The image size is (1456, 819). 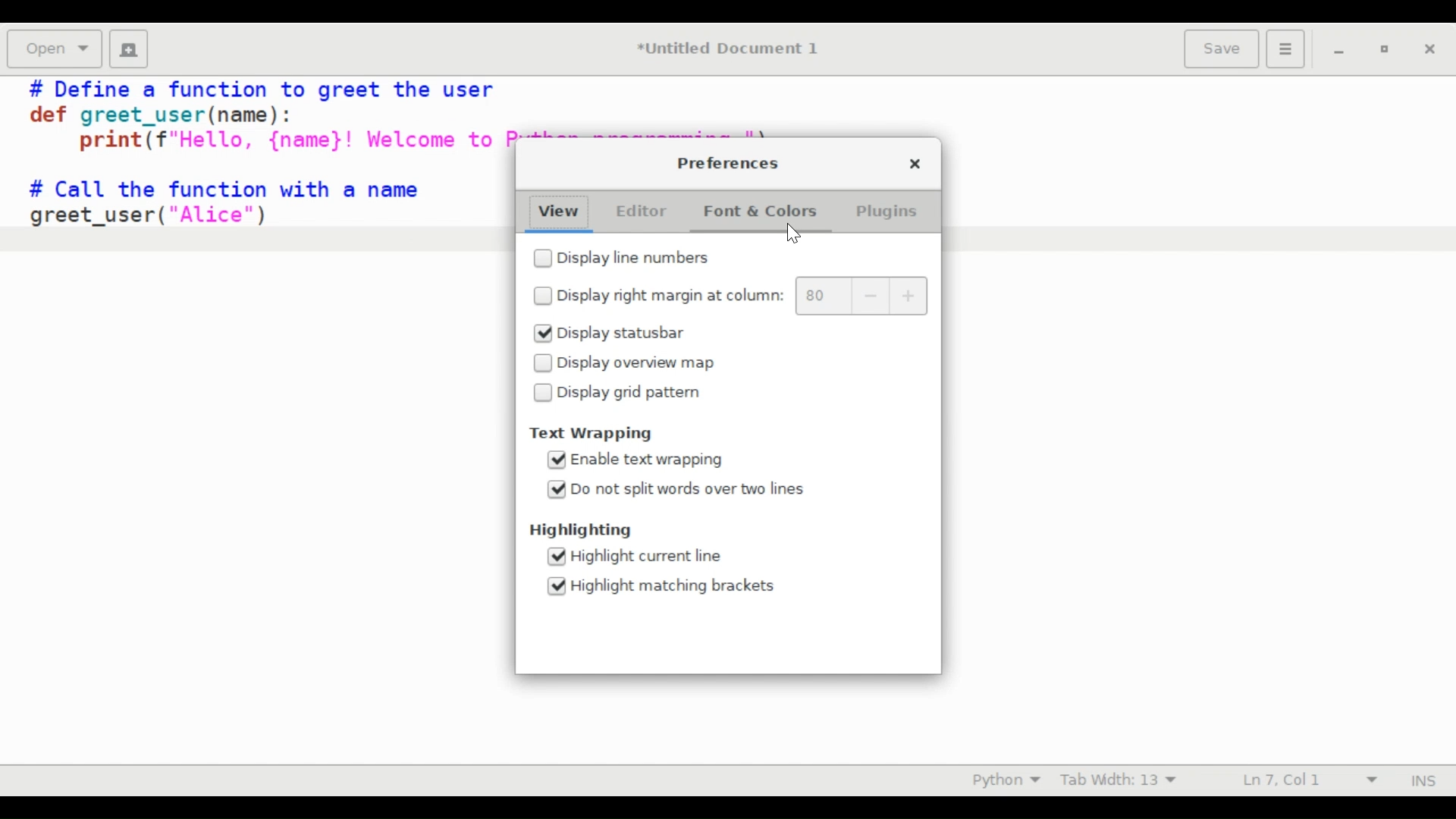 What do you see at coordinates (1409, 780) in the screenshot?
I see `Toggle insert and overwrite` at bounding box center [1409, 780].